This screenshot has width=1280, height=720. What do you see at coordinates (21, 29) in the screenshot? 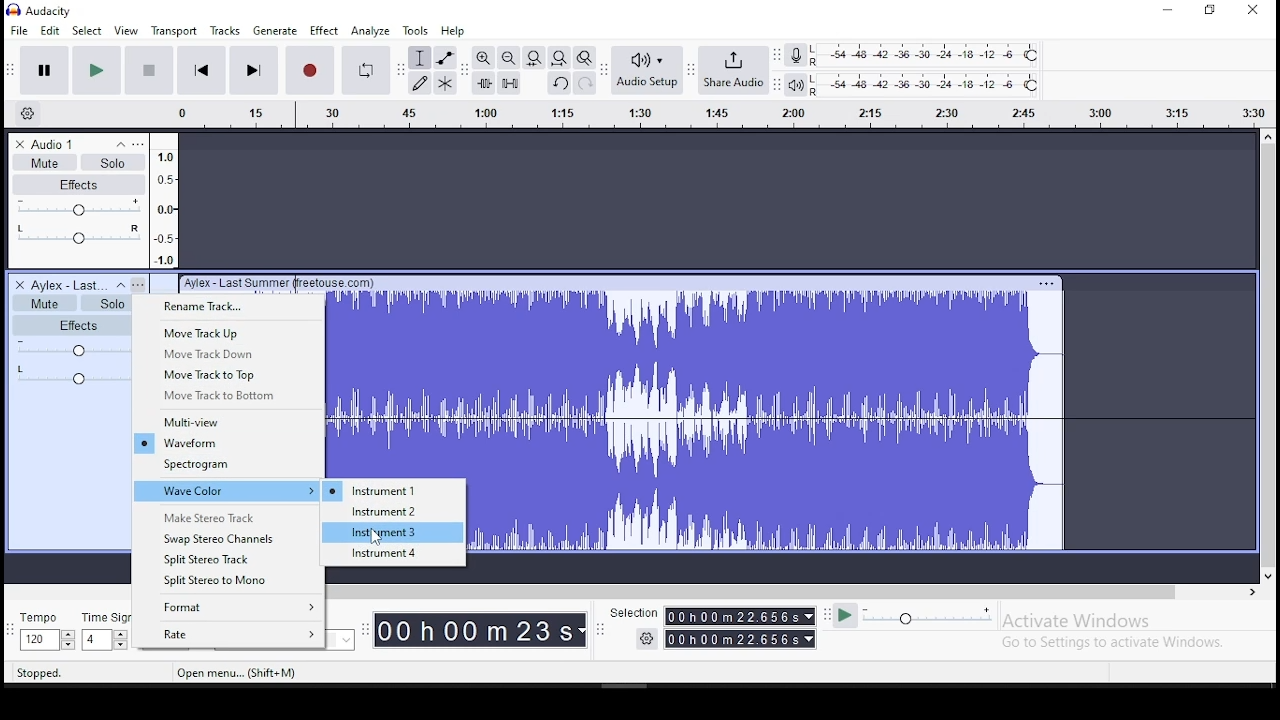
I see `file` at bounding box center [21, 29].